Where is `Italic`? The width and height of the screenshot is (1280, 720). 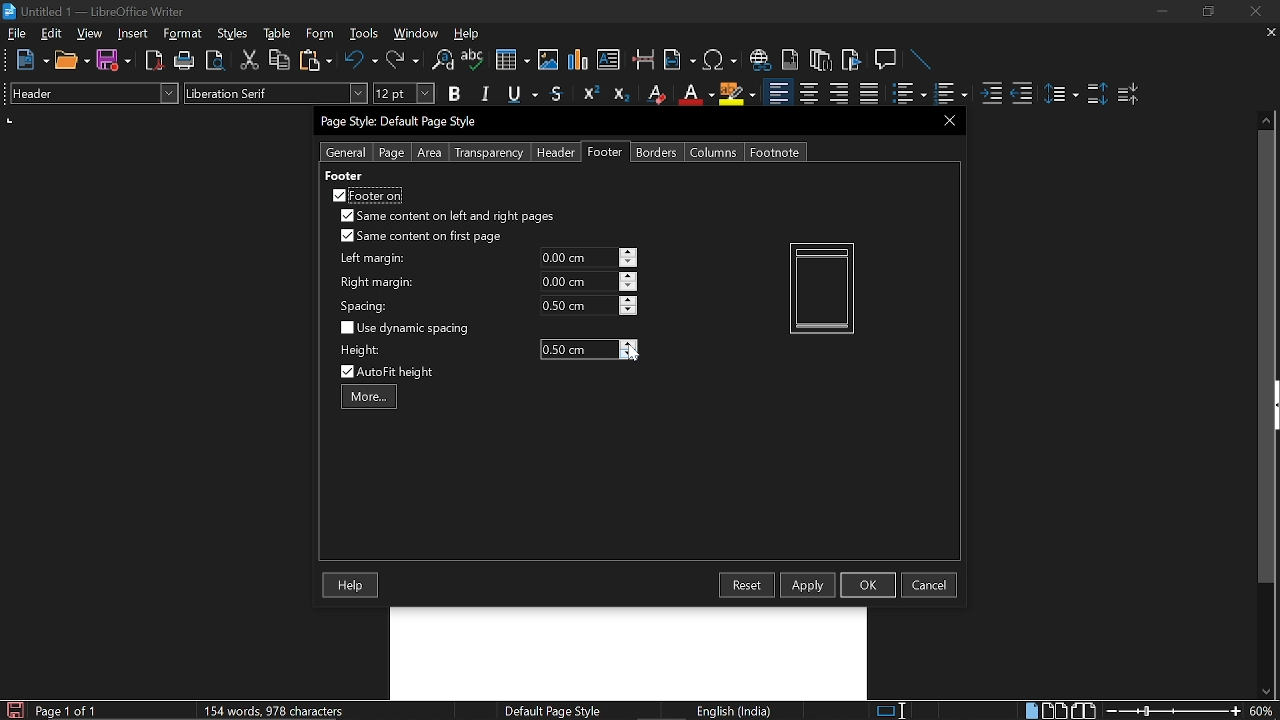 Italic is located at coordinates (486, 94).